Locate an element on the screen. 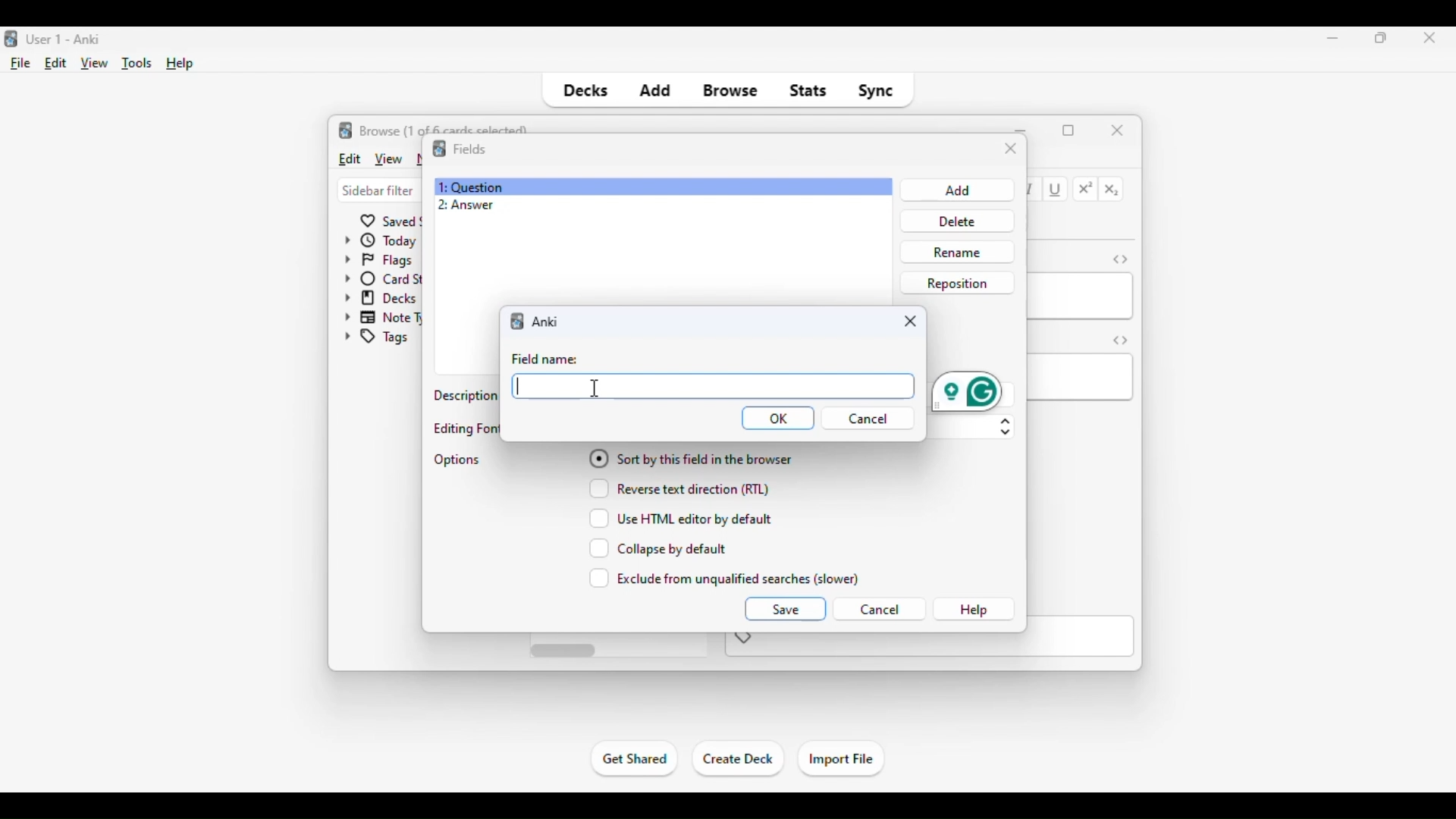 Image resolution: width=1456 pixels, height=819 pixels. exclude from unqualified searches (slower) is located at coordinates (725, 578).